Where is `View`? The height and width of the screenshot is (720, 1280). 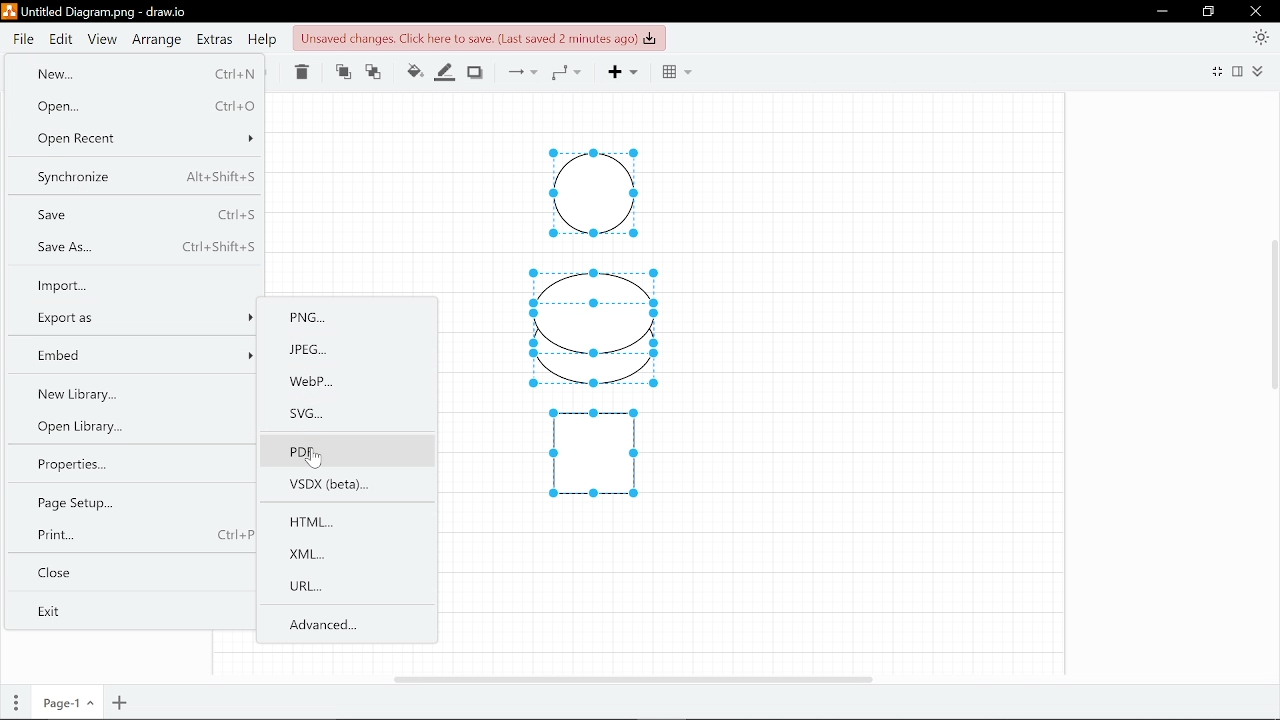 View is located at coordinates (101, 40).